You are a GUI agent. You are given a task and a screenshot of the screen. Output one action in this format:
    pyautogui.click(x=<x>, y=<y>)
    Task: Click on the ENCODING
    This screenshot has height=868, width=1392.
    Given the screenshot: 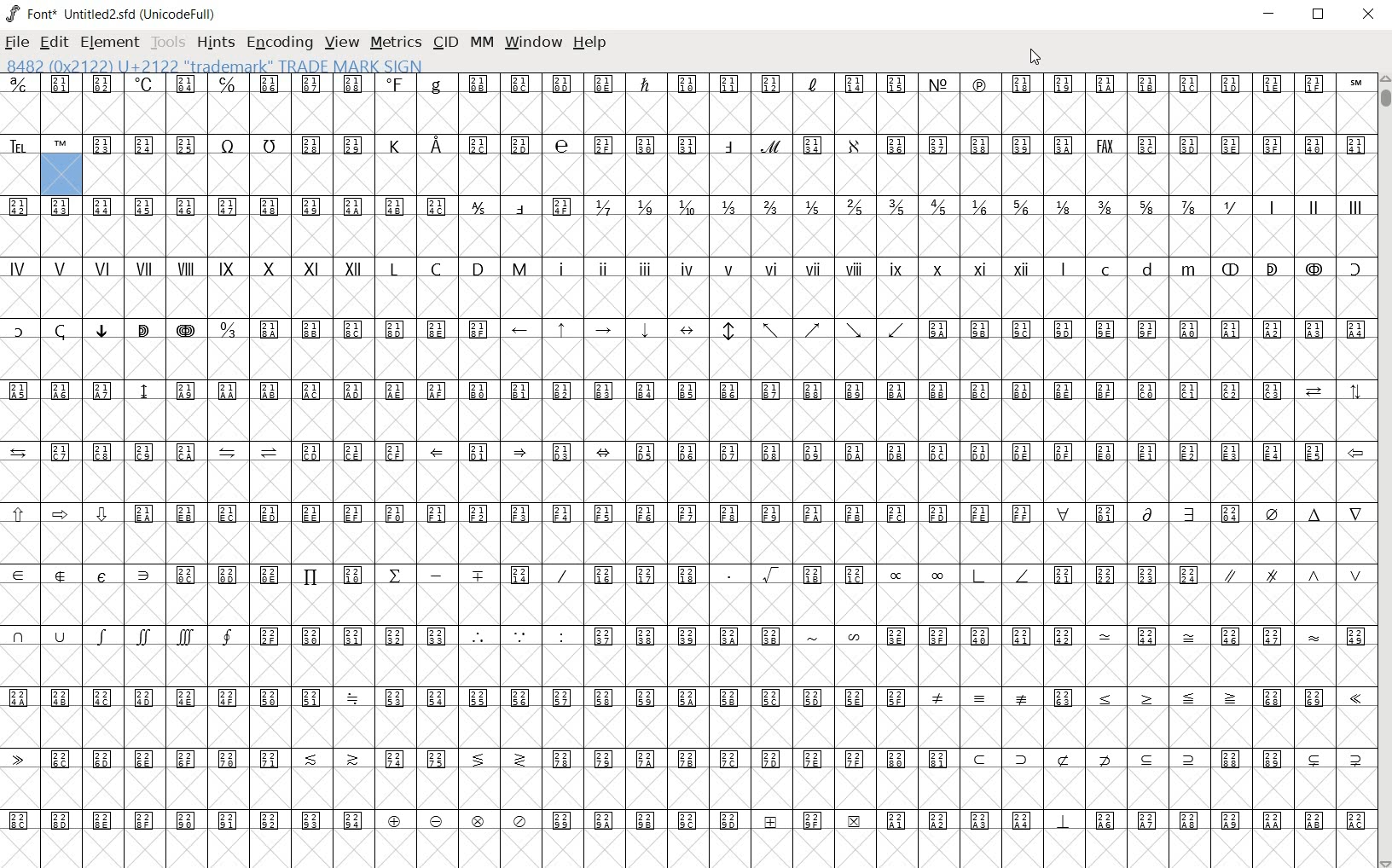 What is the action you would take?
    pyautogui.click(x=280, y=43)
    